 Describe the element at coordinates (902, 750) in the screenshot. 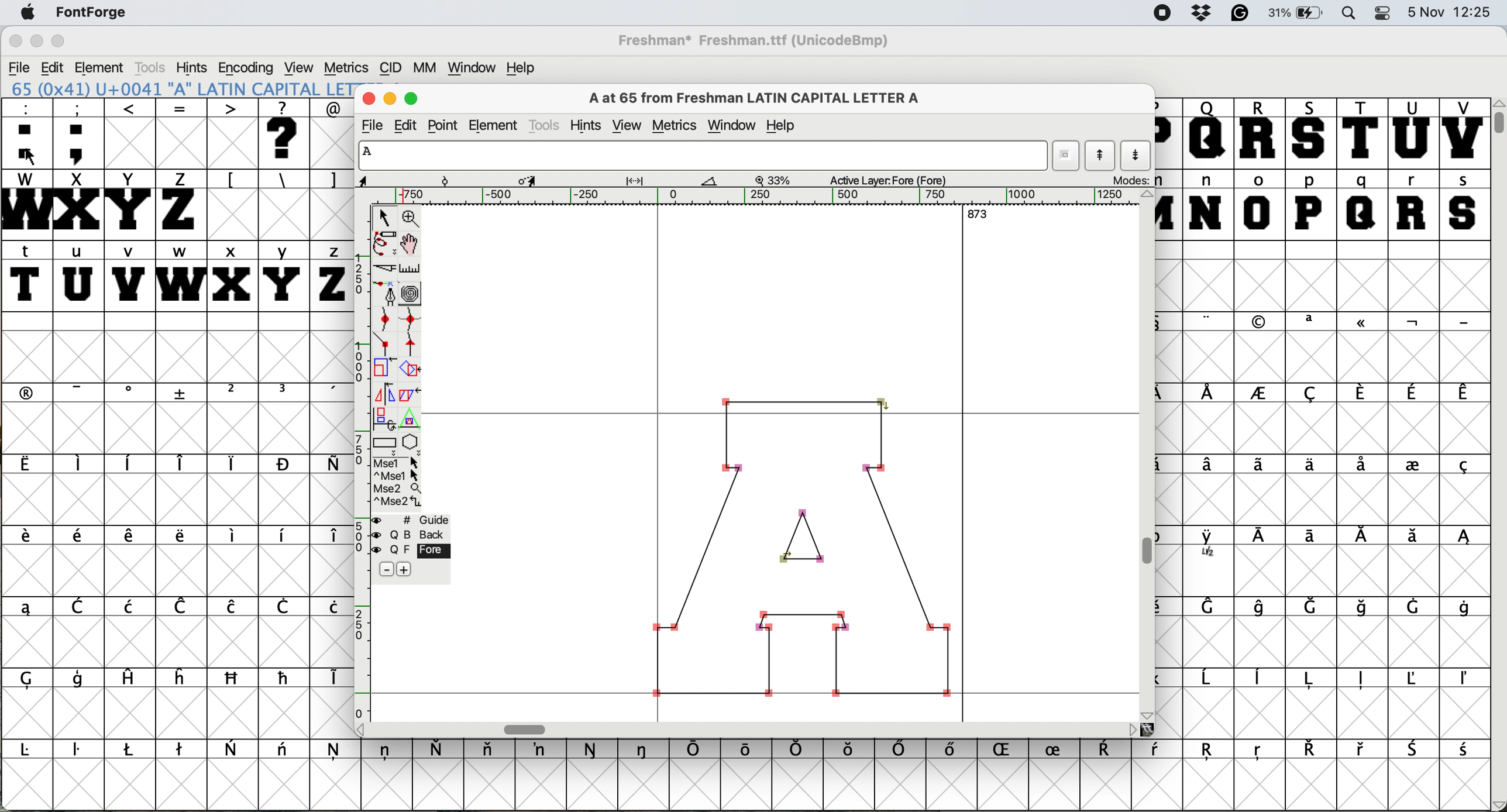

I see `symbol` at that location.